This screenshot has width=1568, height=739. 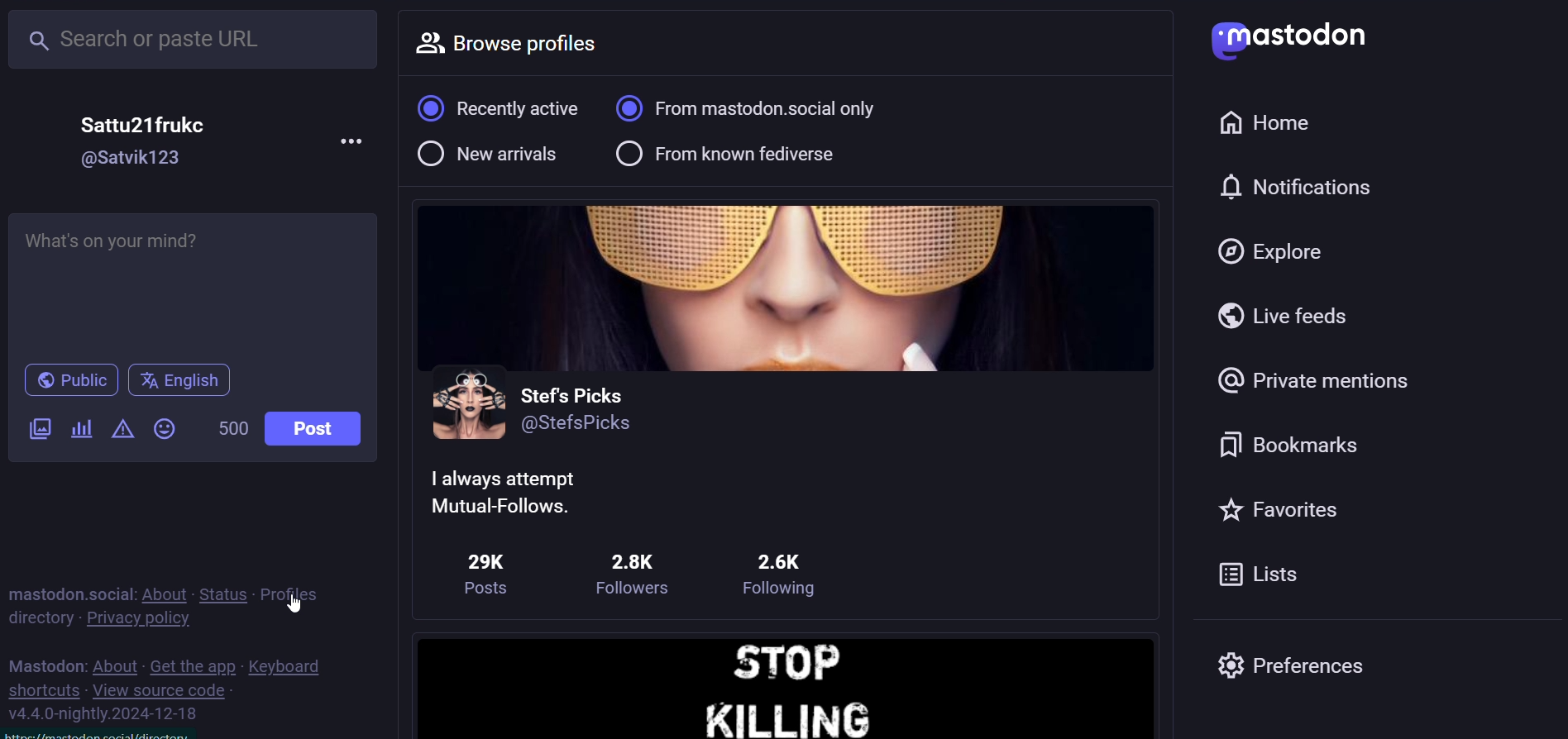 What do you see at coordinates (351, 145) in the screenshot?
I see `more` at bounding box center [351, 145].